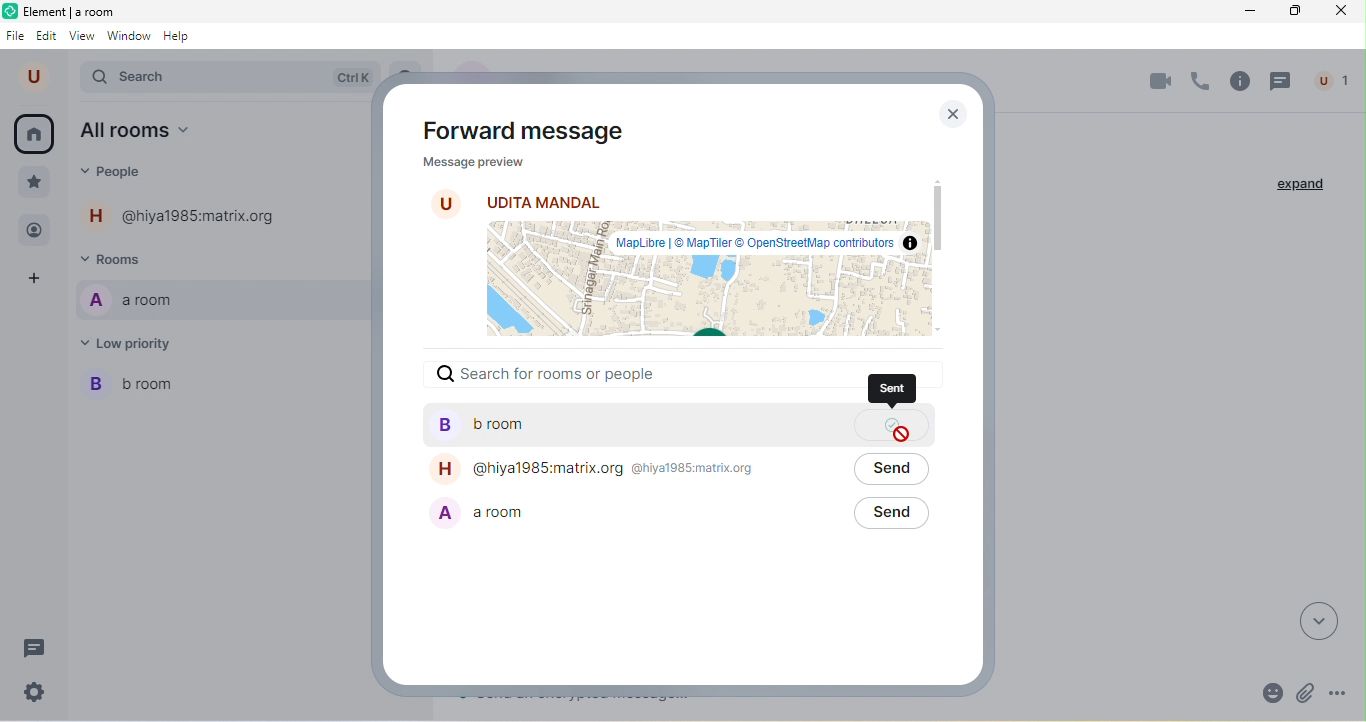 The width and height of the screenshot is (1366, 722). I want to click on home, so click(36, 135).